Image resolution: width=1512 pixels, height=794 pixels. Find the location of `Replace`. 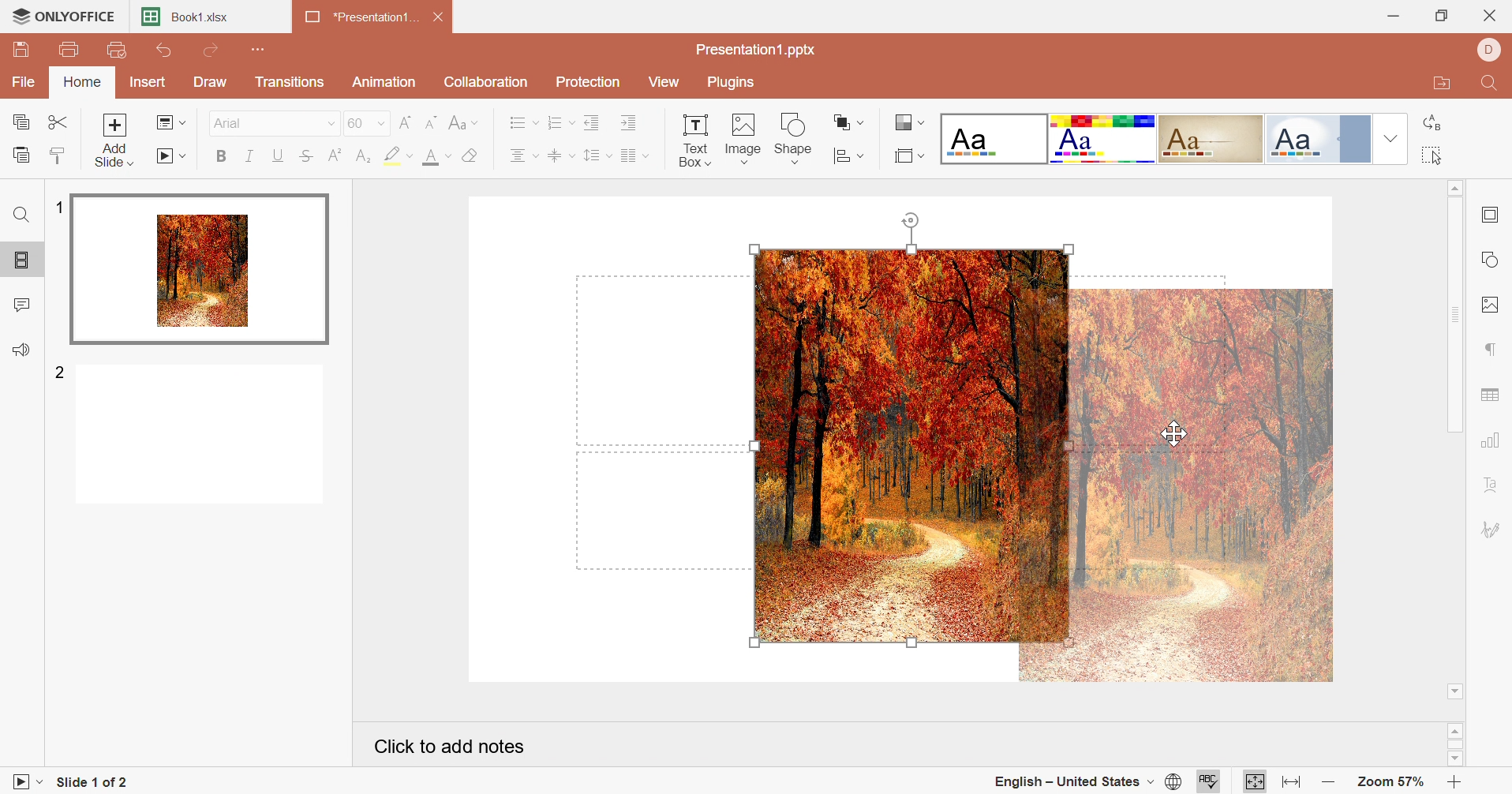

Replace is located at coordinates (1433, 121).